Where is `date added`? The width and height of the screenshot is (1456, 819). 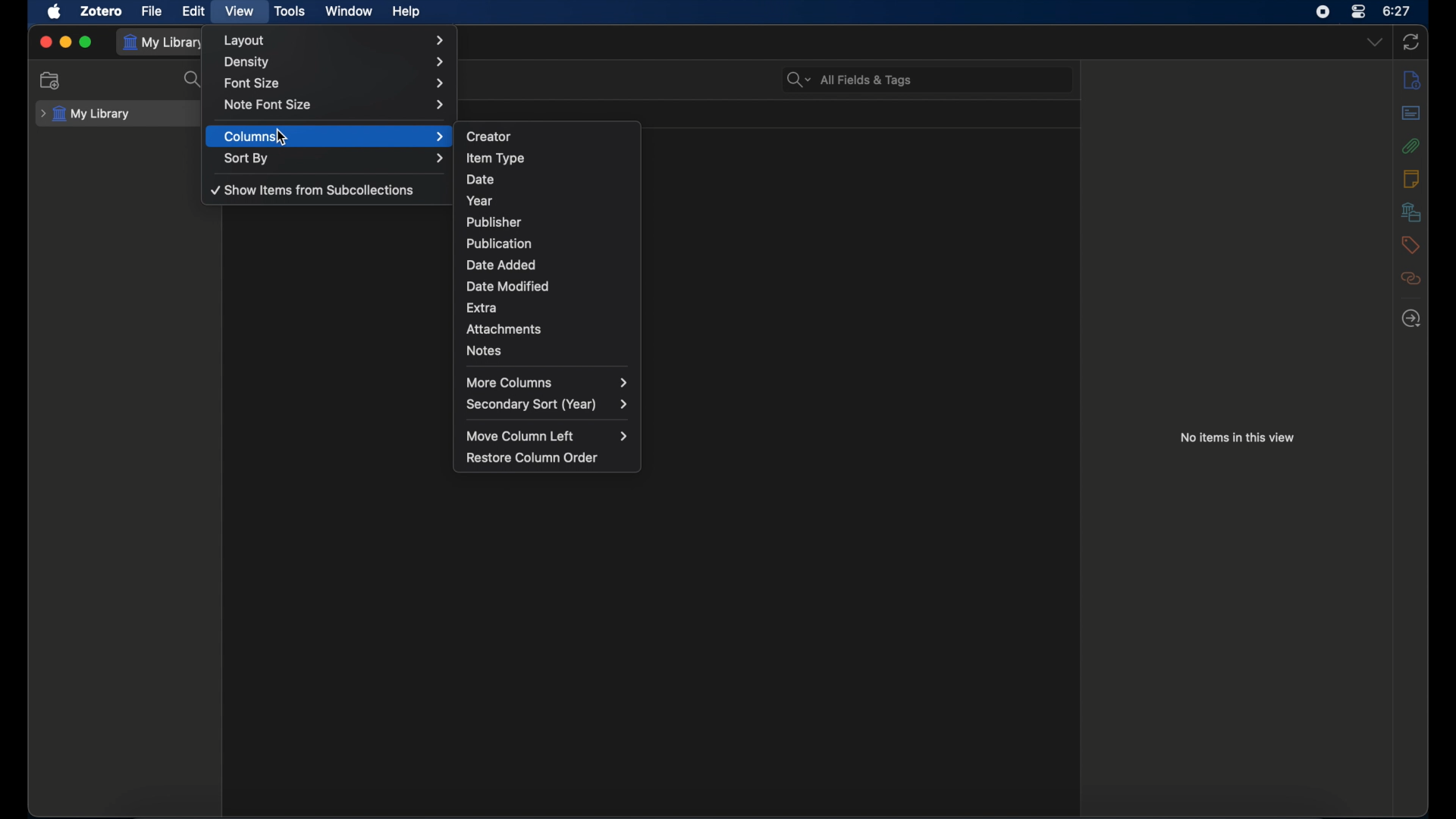 date added is located at coordinates (501, 265).